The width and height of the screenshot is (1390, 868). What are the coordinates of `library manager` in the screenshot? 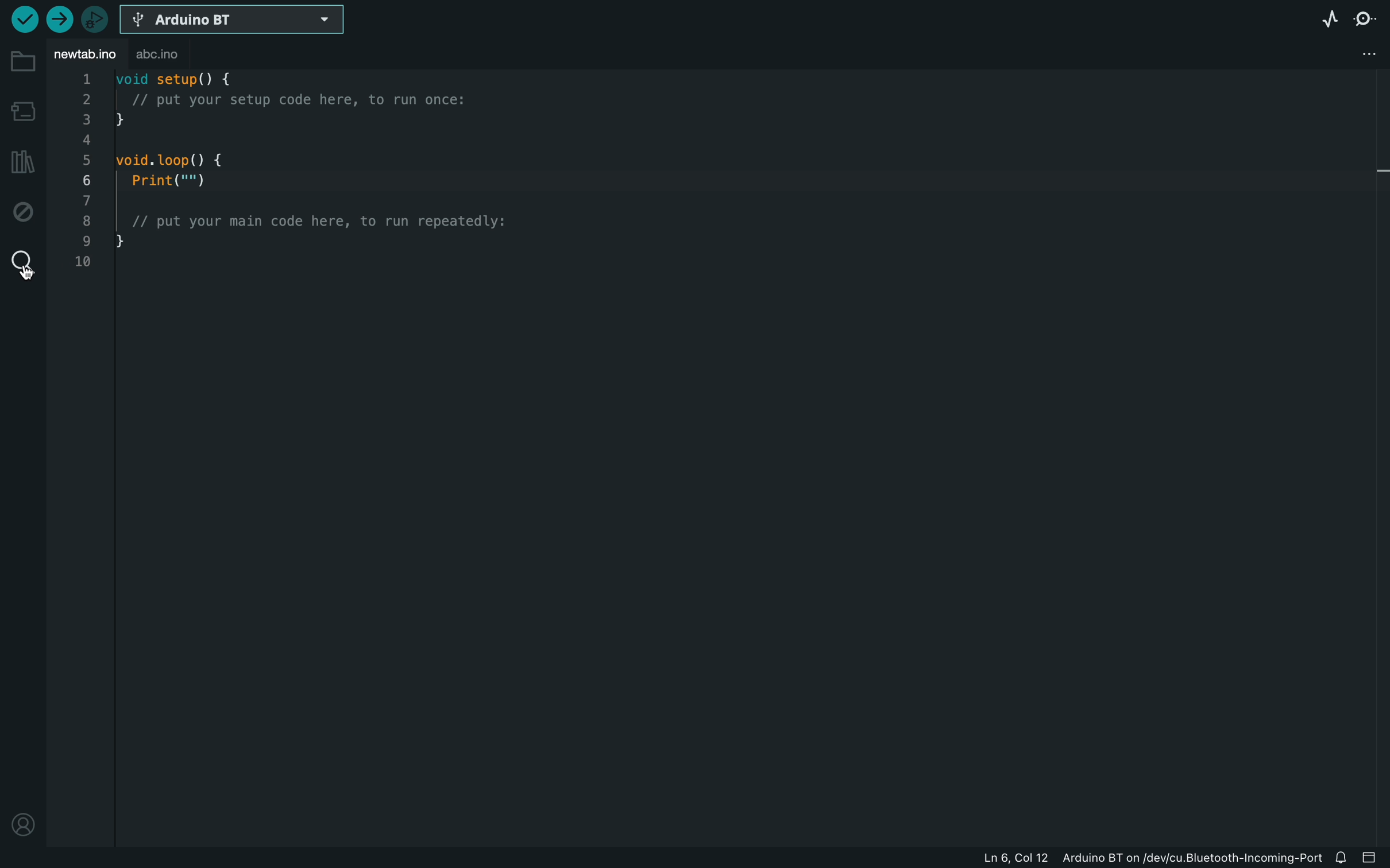 It's located at (20, 164).